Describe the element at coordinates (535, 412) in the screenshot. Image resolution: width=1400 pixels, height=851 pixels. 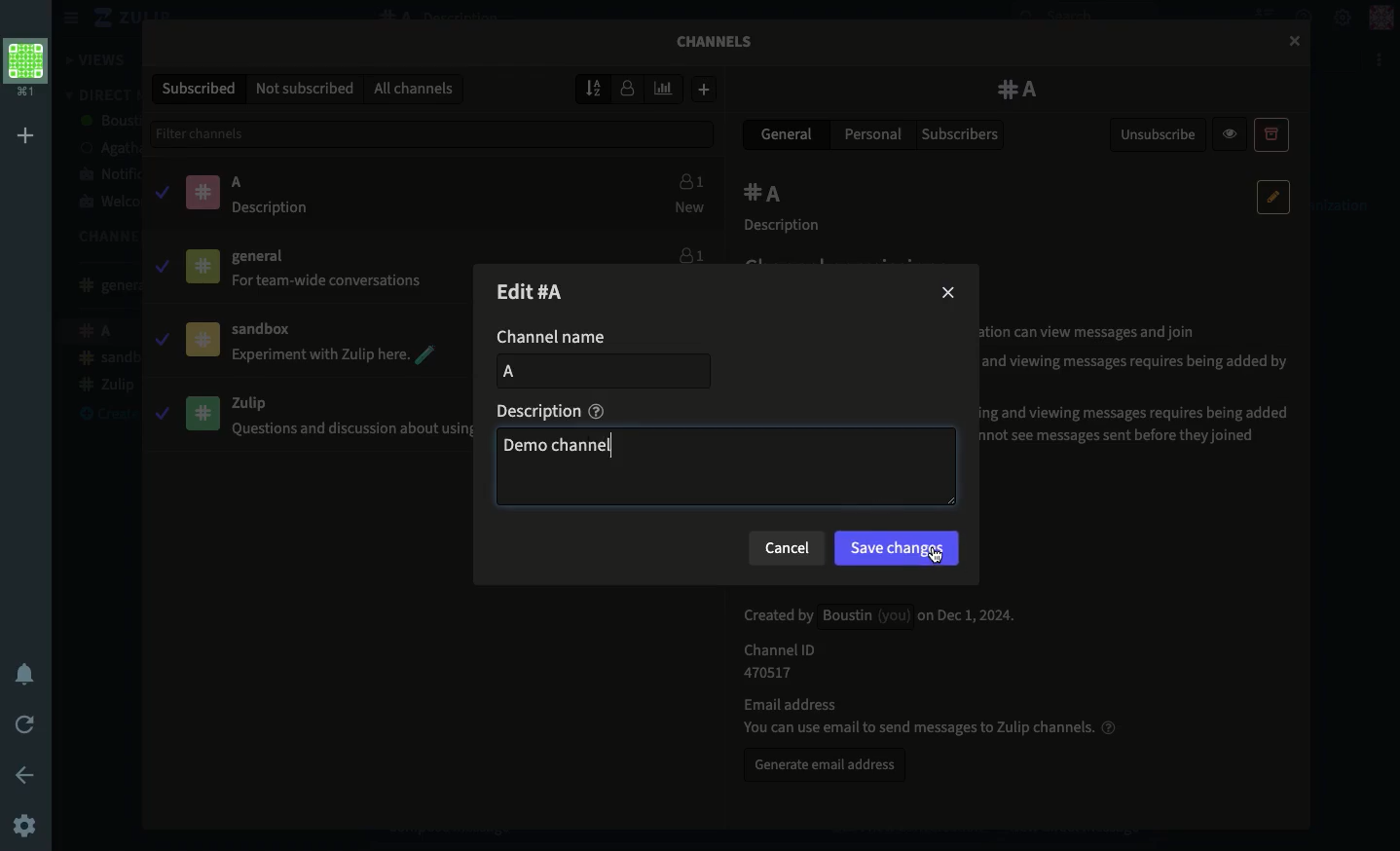
I see `Description` at that location.